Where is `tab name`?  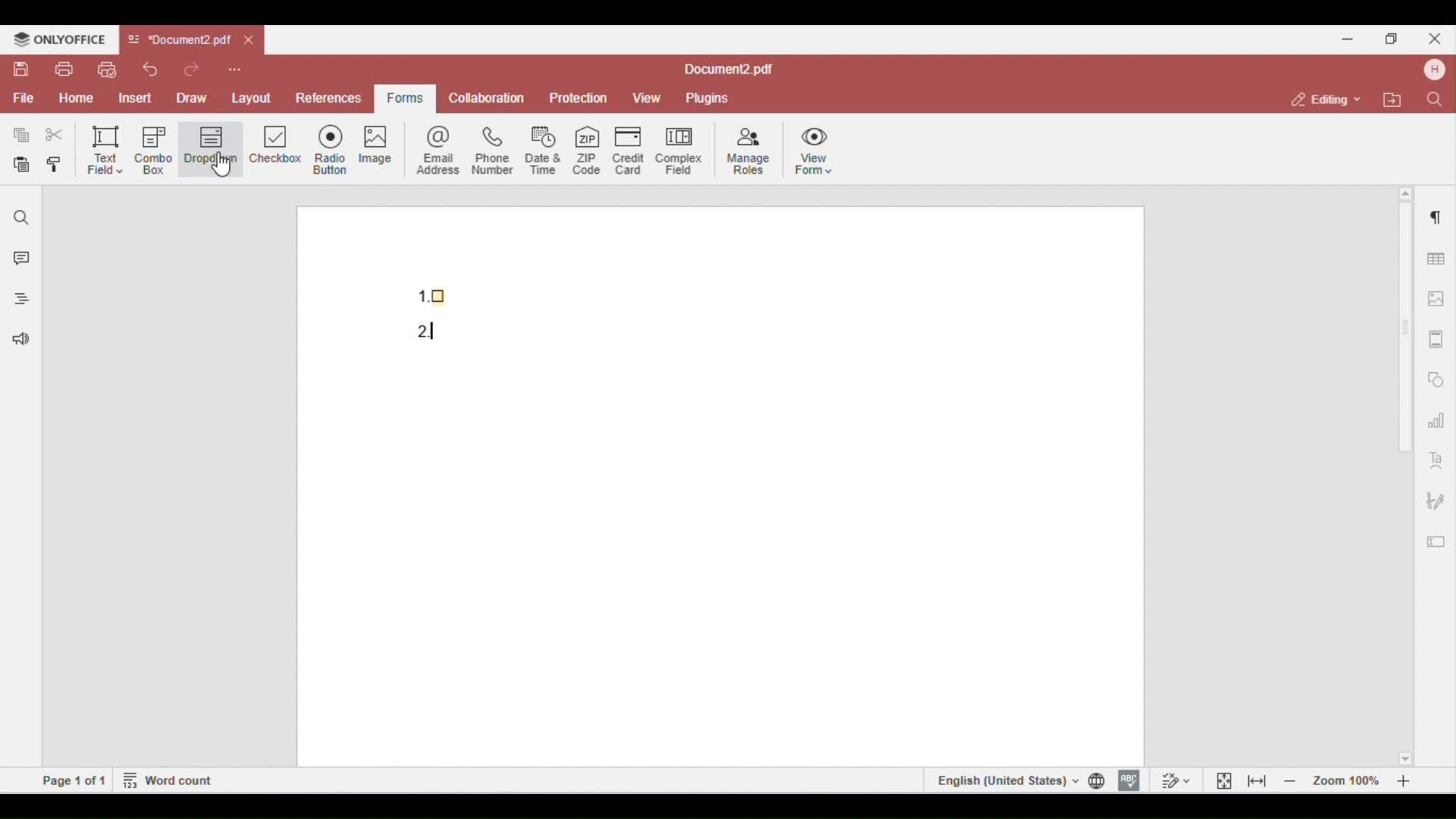
tab name is located at coordinates (179, 40).